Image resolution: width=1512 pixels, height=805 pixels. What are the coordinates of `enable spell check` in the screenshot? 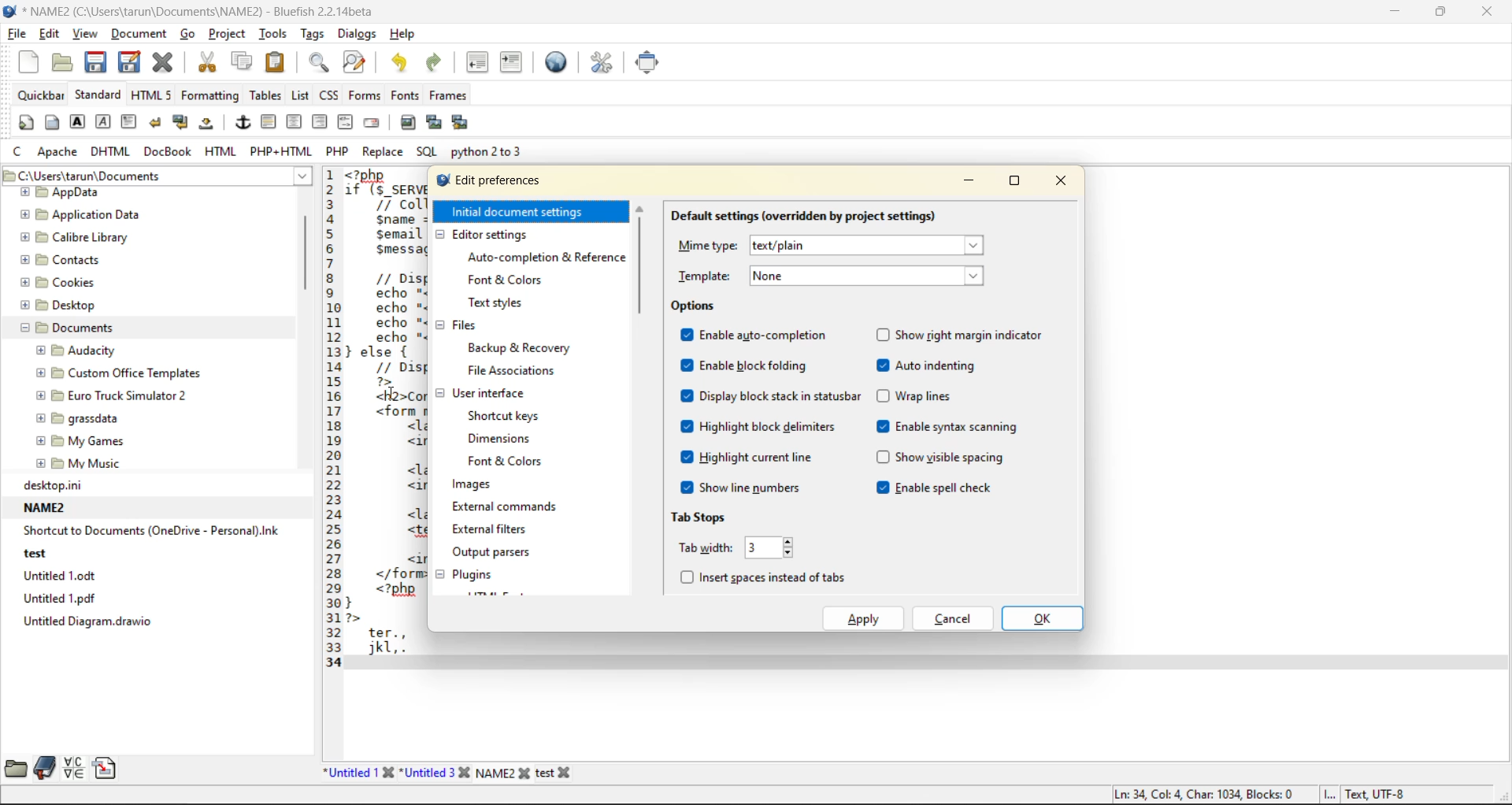 It's located at (934, 488).